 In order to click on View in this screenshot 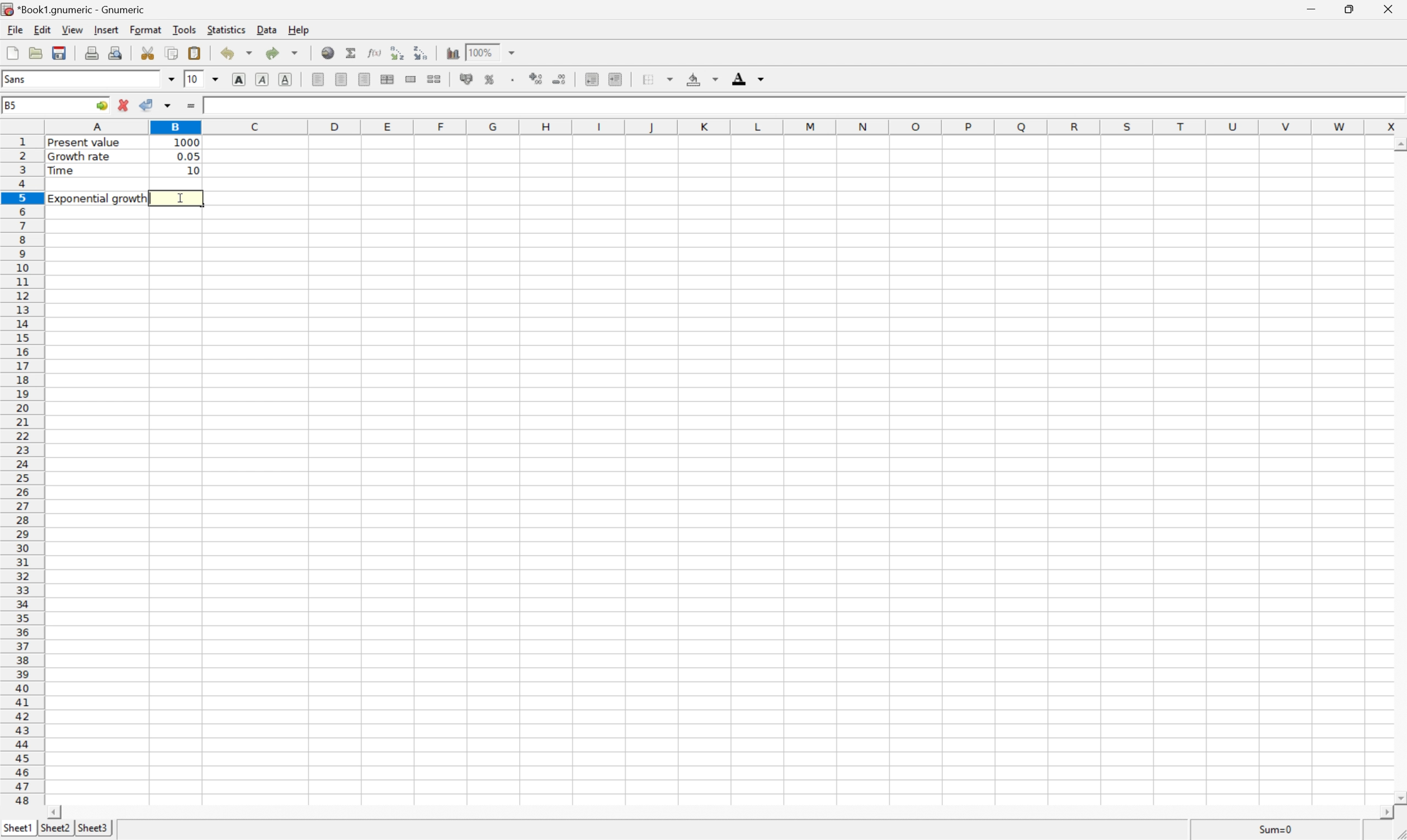, I will do `click(73, 29)`.